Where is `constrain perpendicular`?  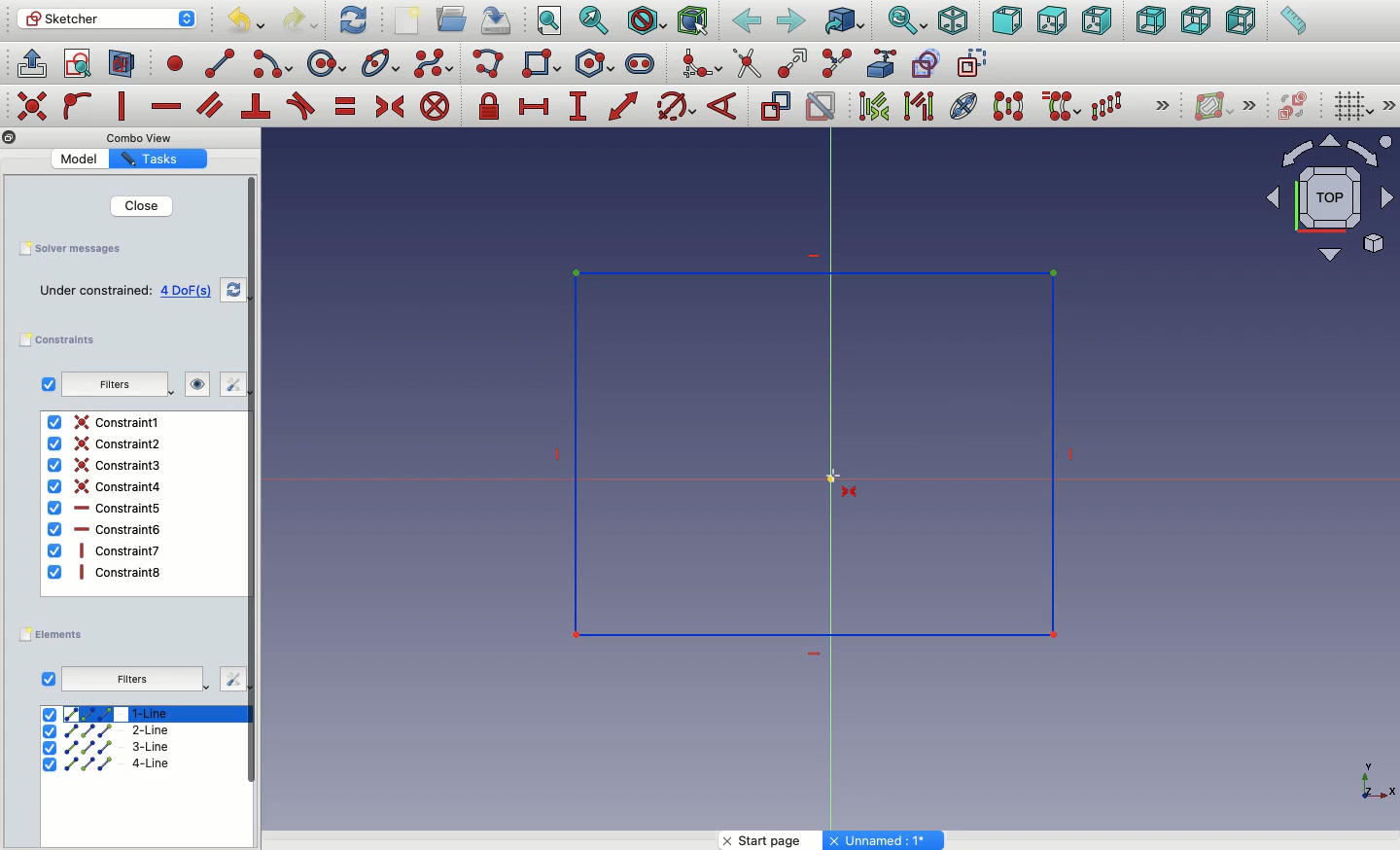
constrain perpendicular is located at coordinates (258, 107).